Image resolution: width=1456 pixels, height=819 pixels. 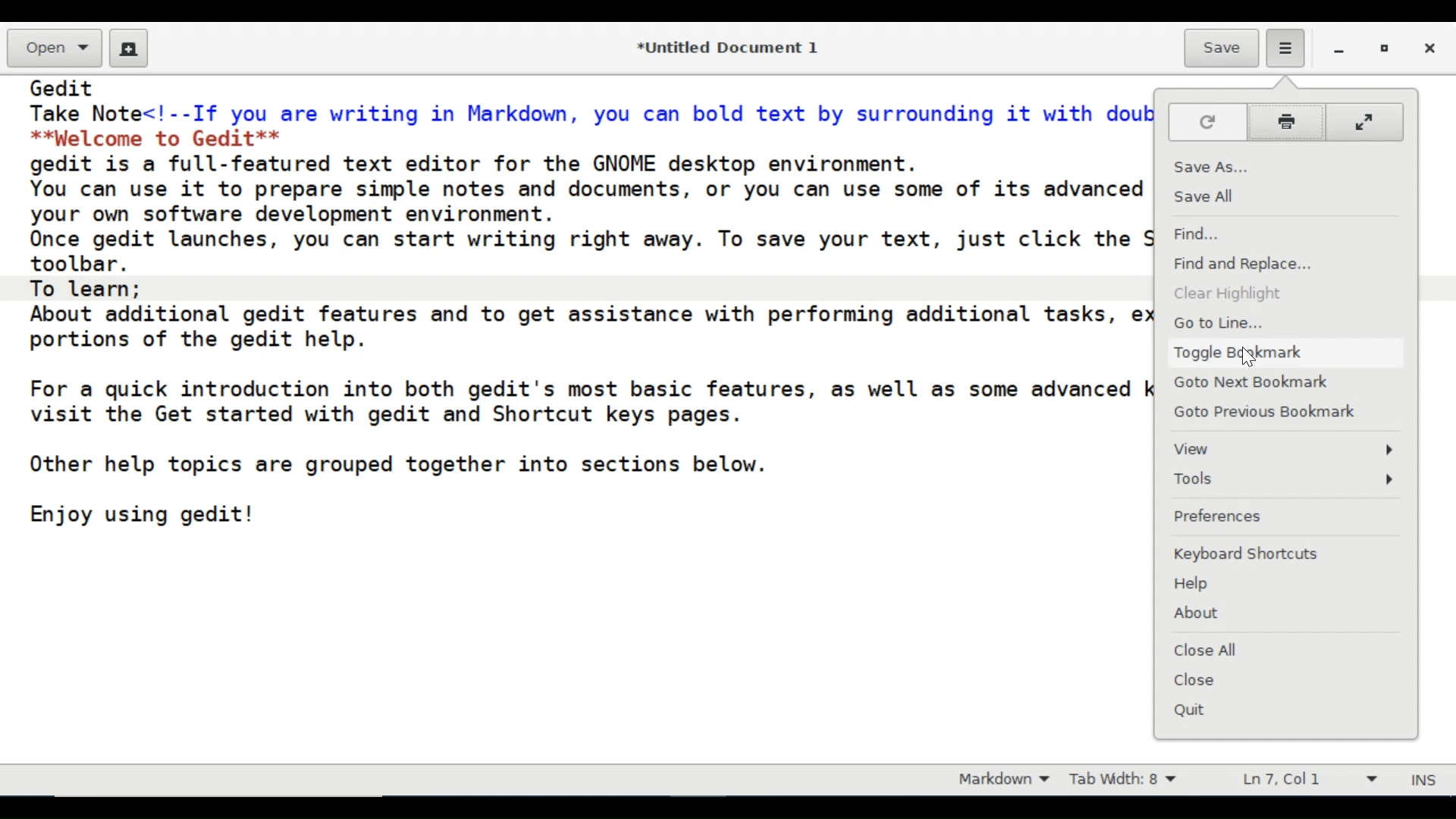 I want to click on About additional gedit features and to get assistance with performing additional tasks, explore the other
portions of the gedit help., so click(x=591, y=326).